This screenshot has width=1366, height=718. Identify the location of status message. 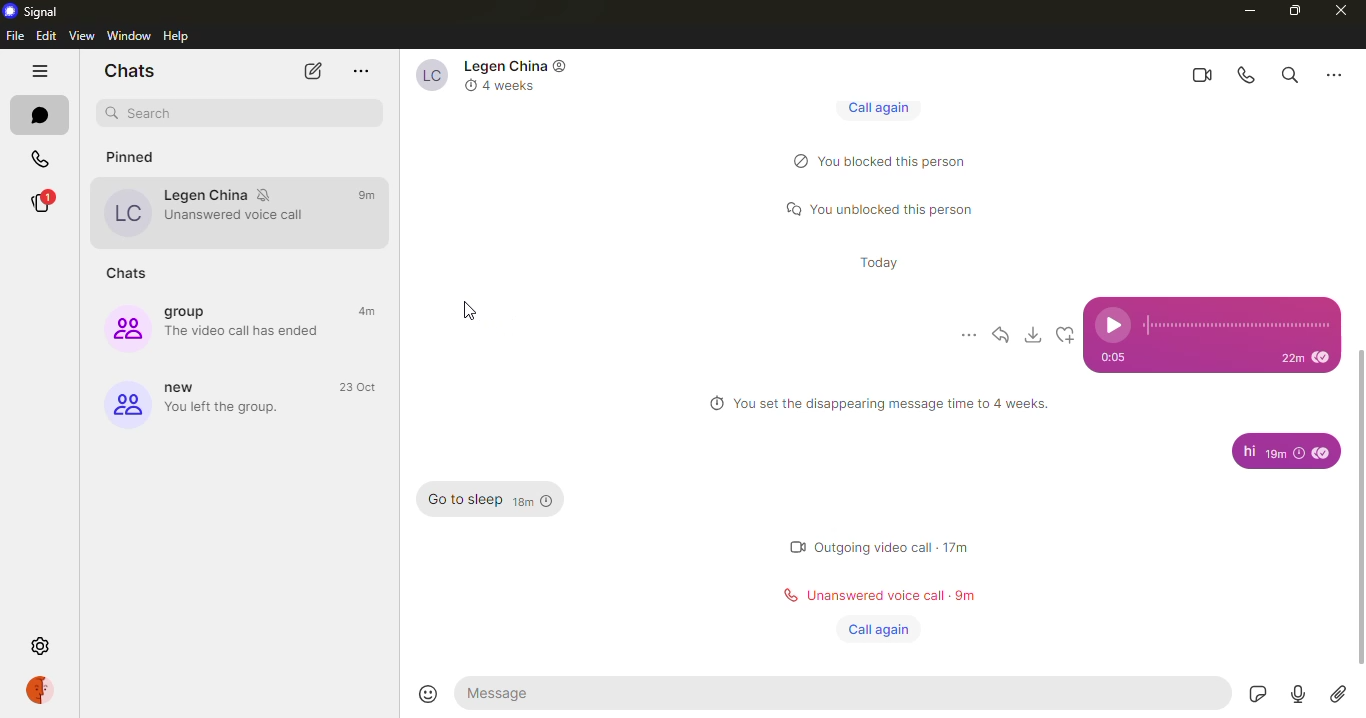
(854, 596).